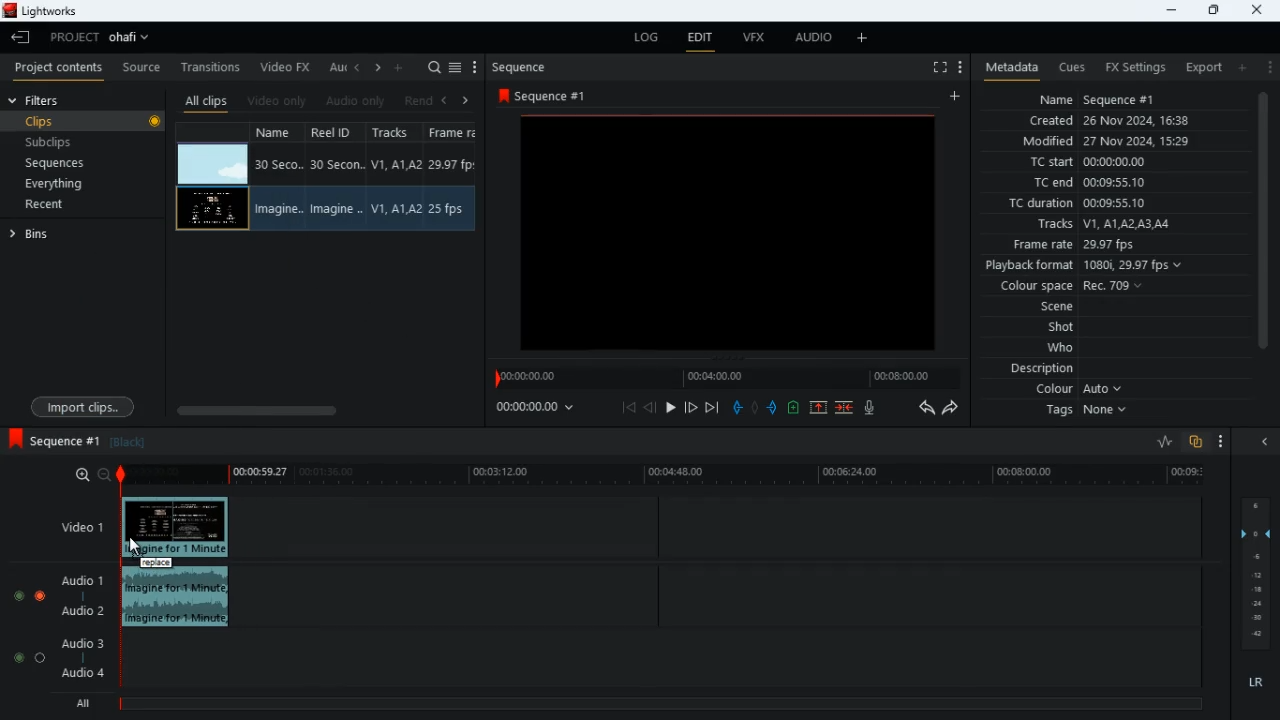 Image resolution: width=1280 pixels, height=720 pixels. I want to click on export, so click(1198, 68).